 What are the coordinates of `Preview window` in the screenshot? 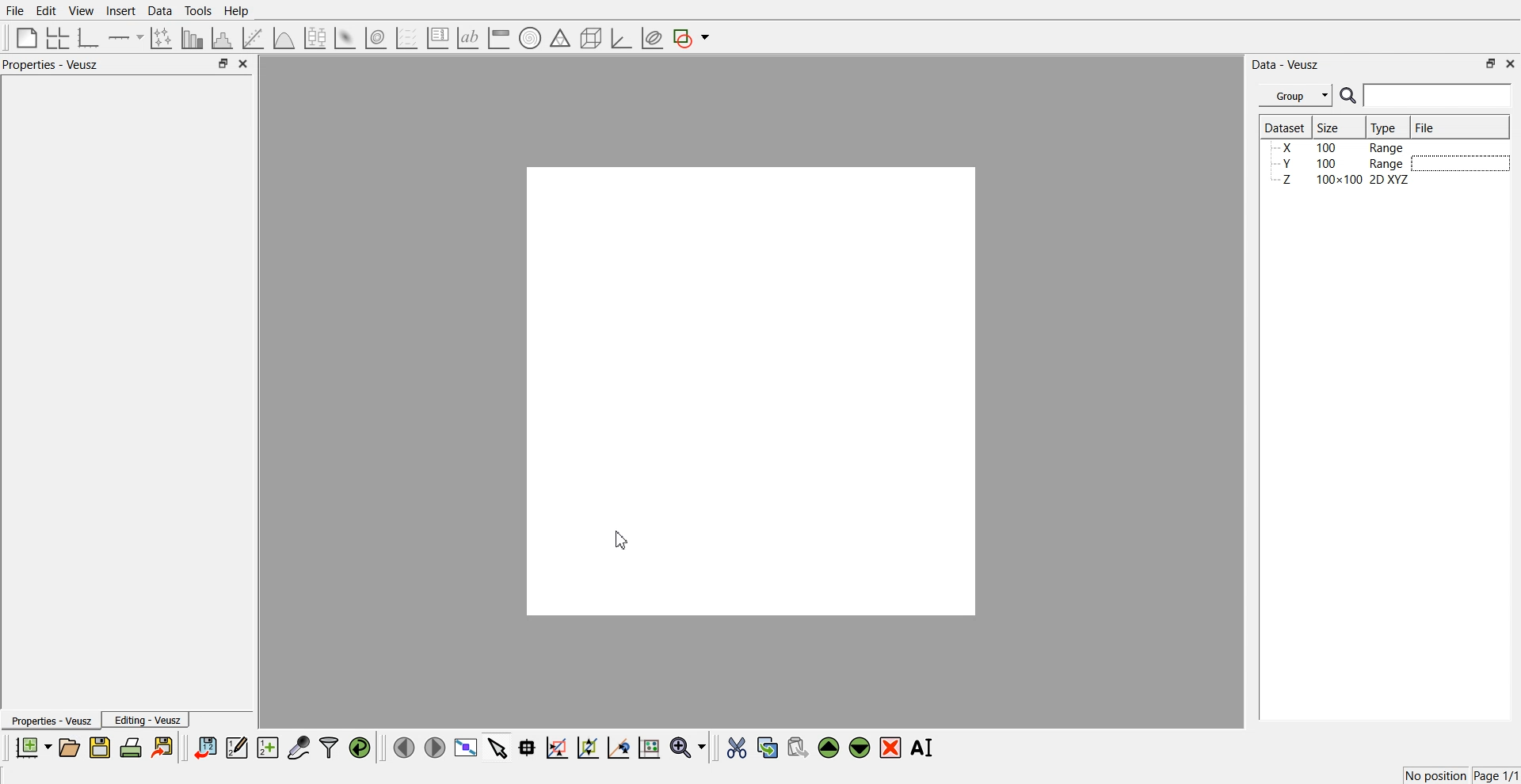 It's located at (752, 390).